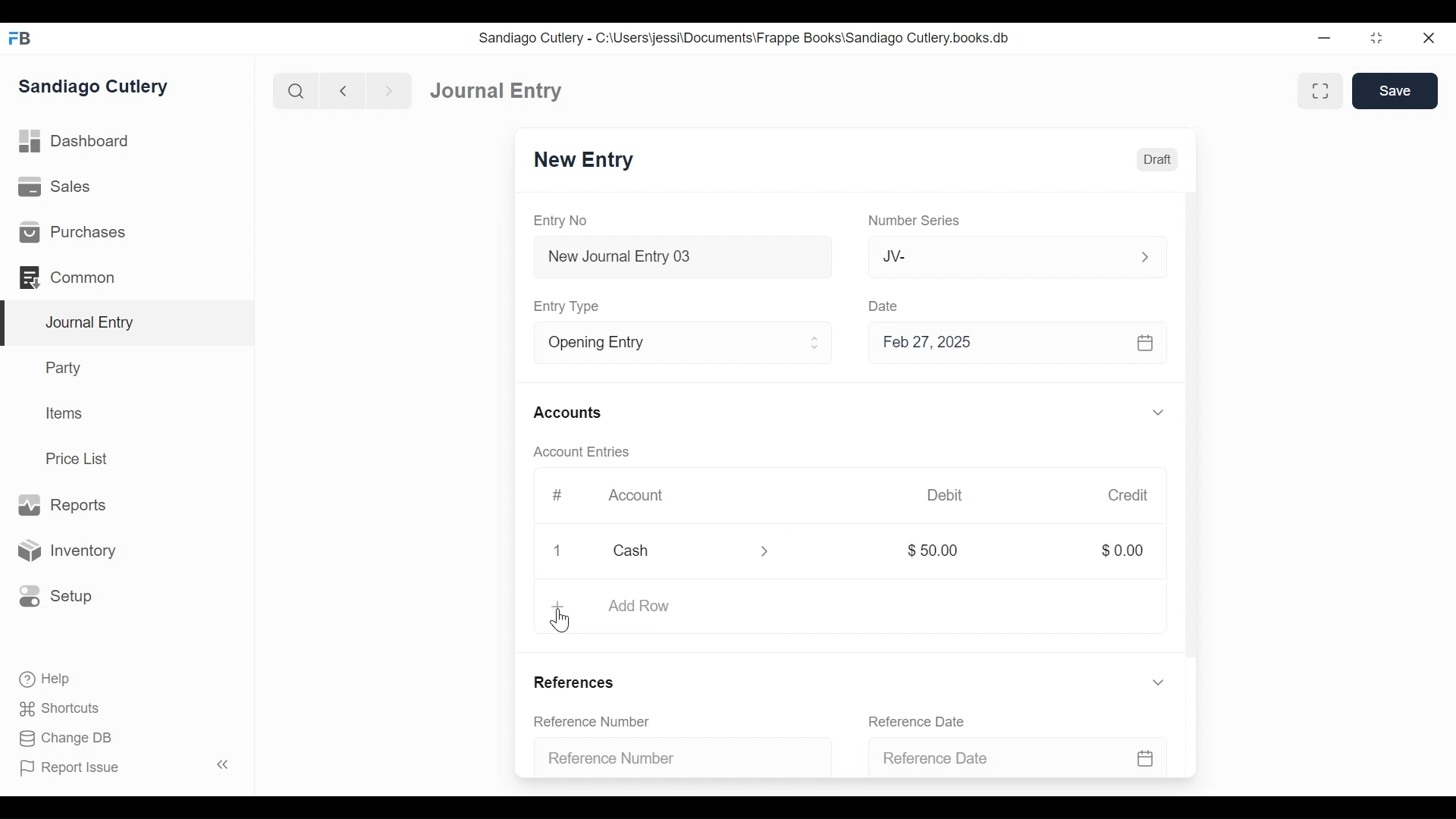 The image size is (1456, 819). Describe the element at coordinates (745, 37) in the screenshot. I see `Sandiago Cutlery - C:\Users\jessi\Documents\Frappe Books\Sandiago Cutlery.books.db` at that location.